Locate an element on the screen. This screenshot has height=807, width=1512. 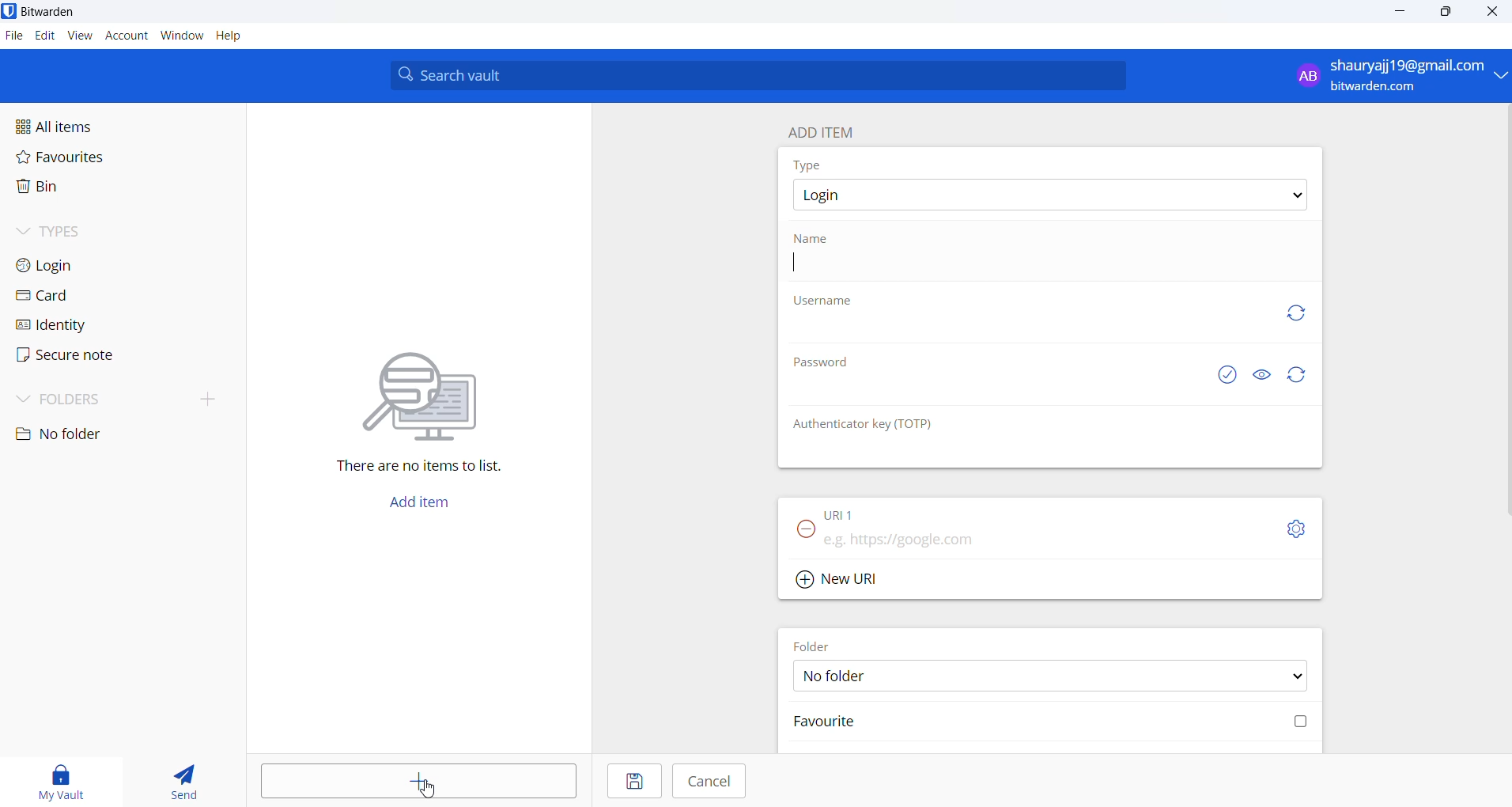
add item button is located at coordinates (428, 506).